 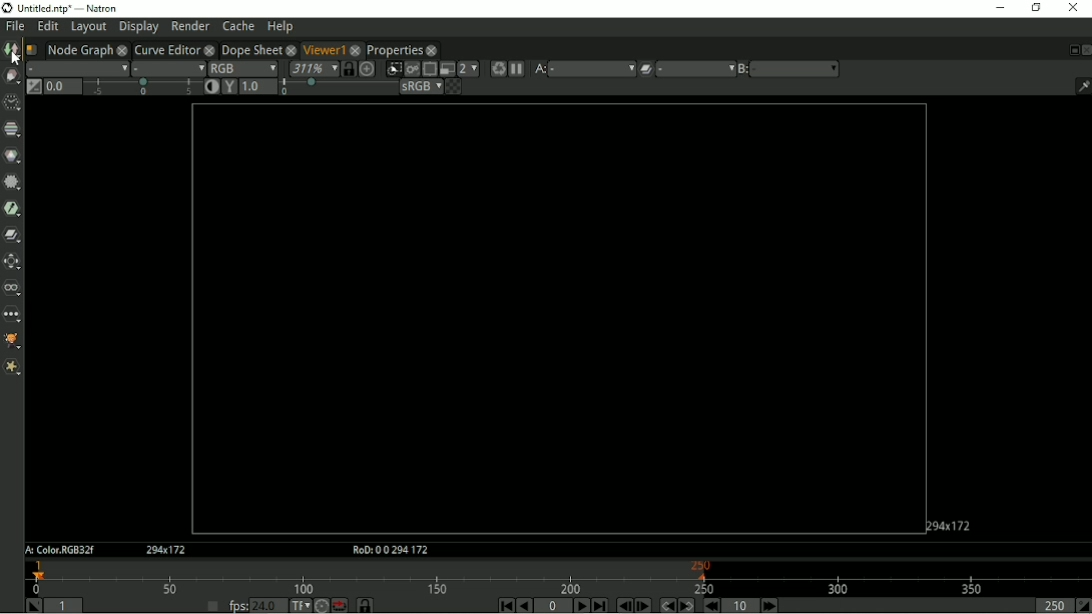 I want to click on Enable region of interest that limit the portion of the viewer, so click(x=429, y=69).